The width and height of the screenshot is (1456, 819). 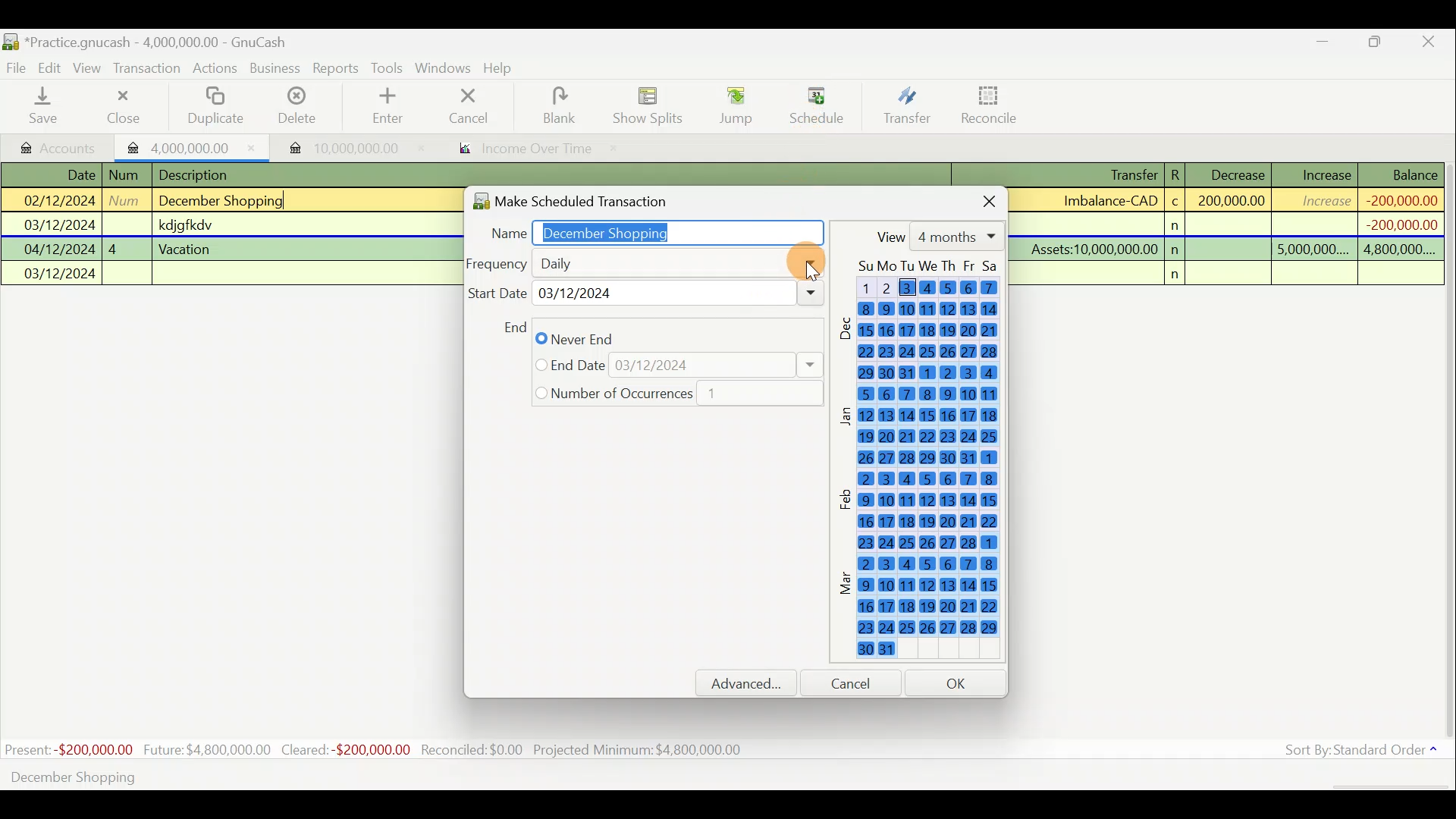 I want to click on Transaction details, so click(x=1235, y=224).